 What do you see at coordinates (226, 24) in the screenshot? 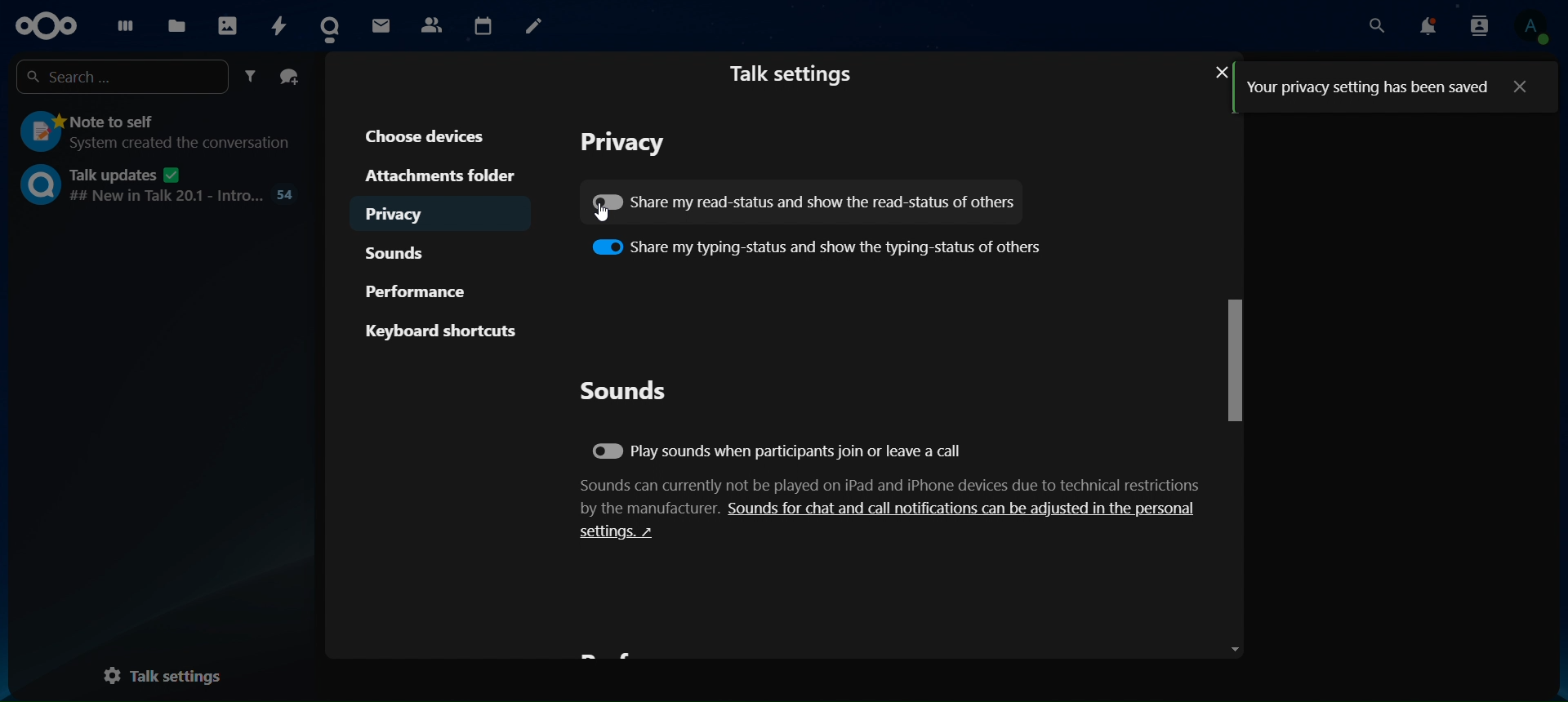
I see `photos` at bounding box center [226, 24].